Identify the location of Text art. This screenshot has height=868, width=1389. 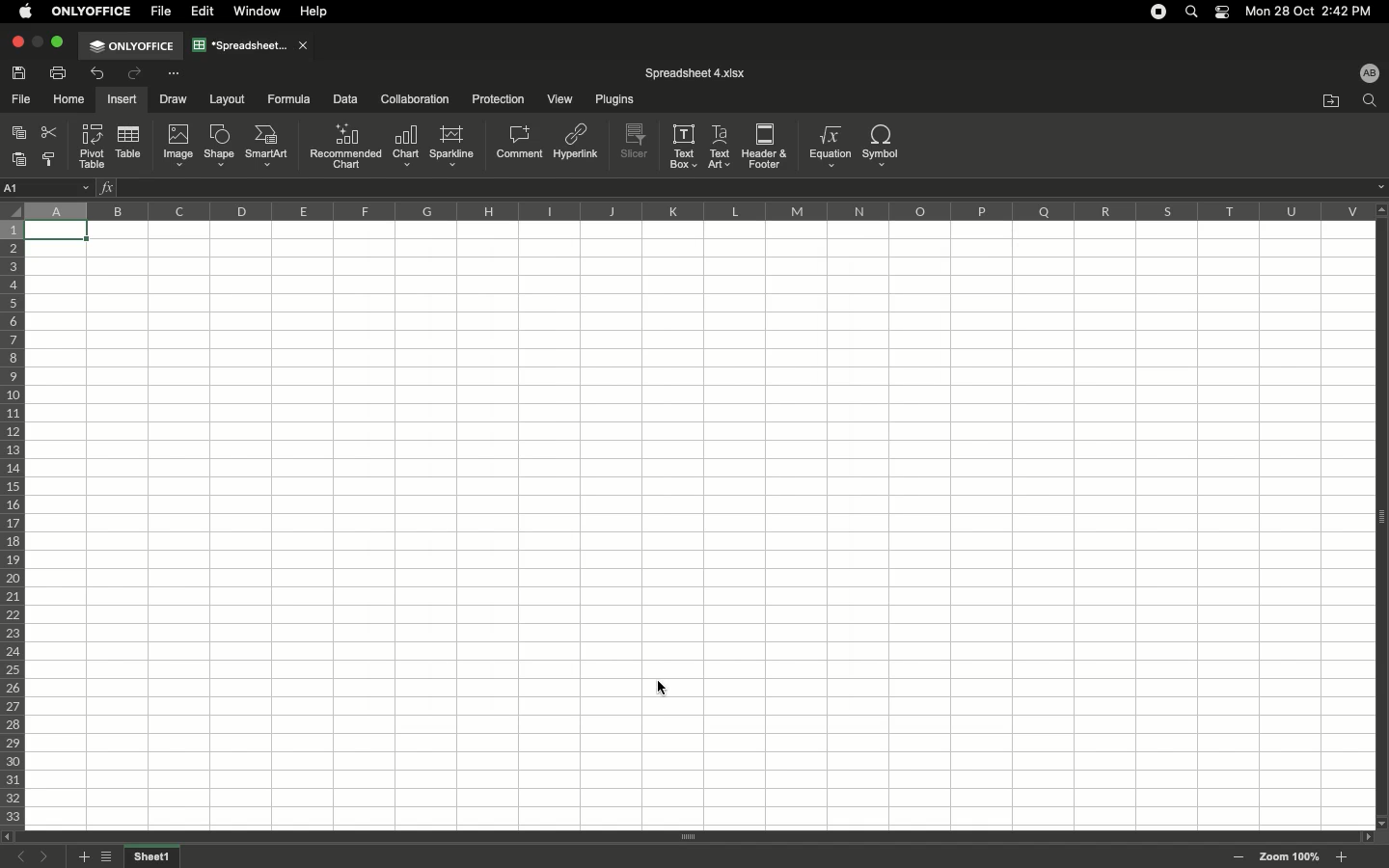
(721, 145).